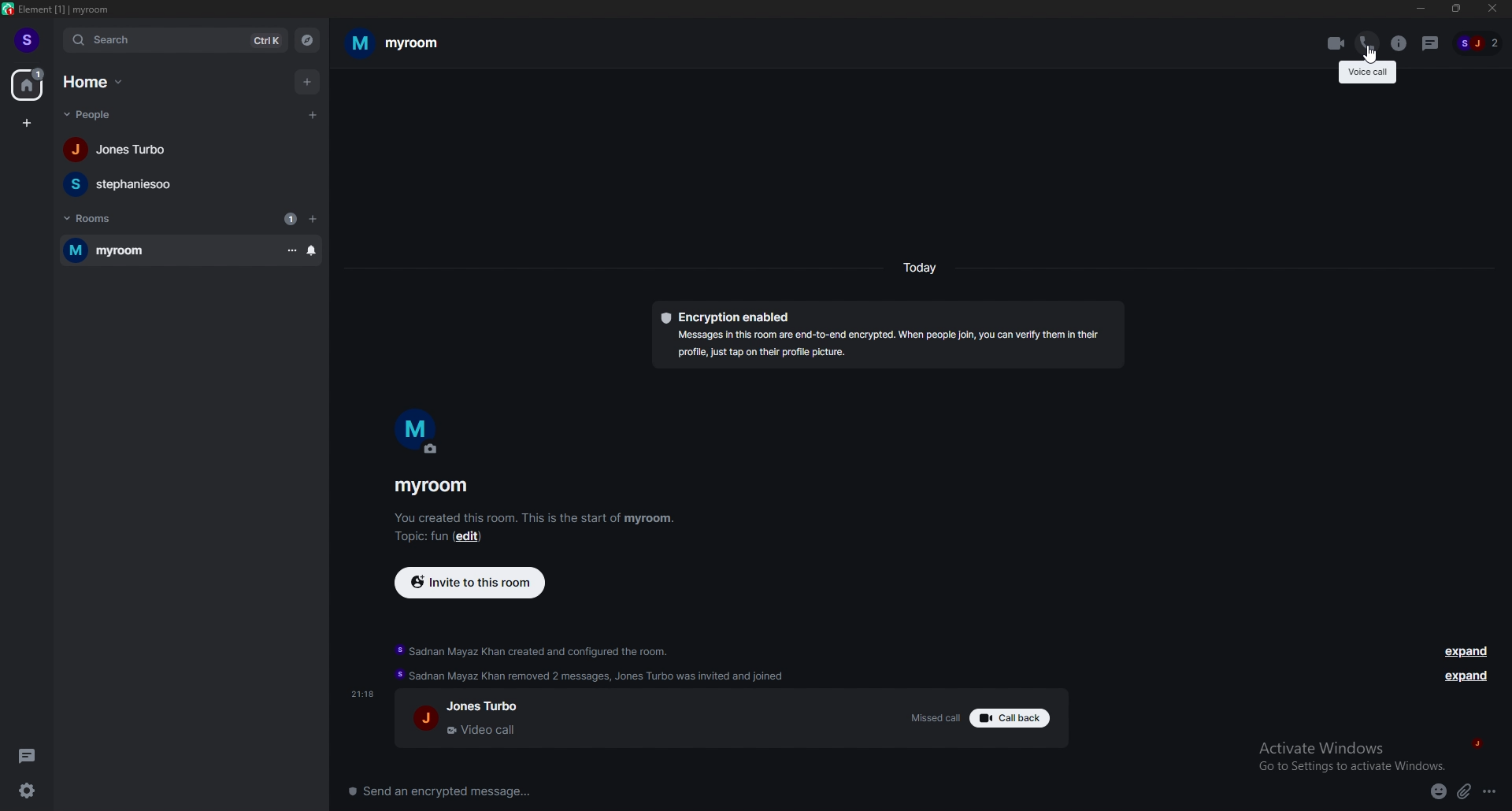 This screenshot has height=811, width=1512. Describe the element at coordinates (1464, 794) in the screenshot. I see `attach` at that location.